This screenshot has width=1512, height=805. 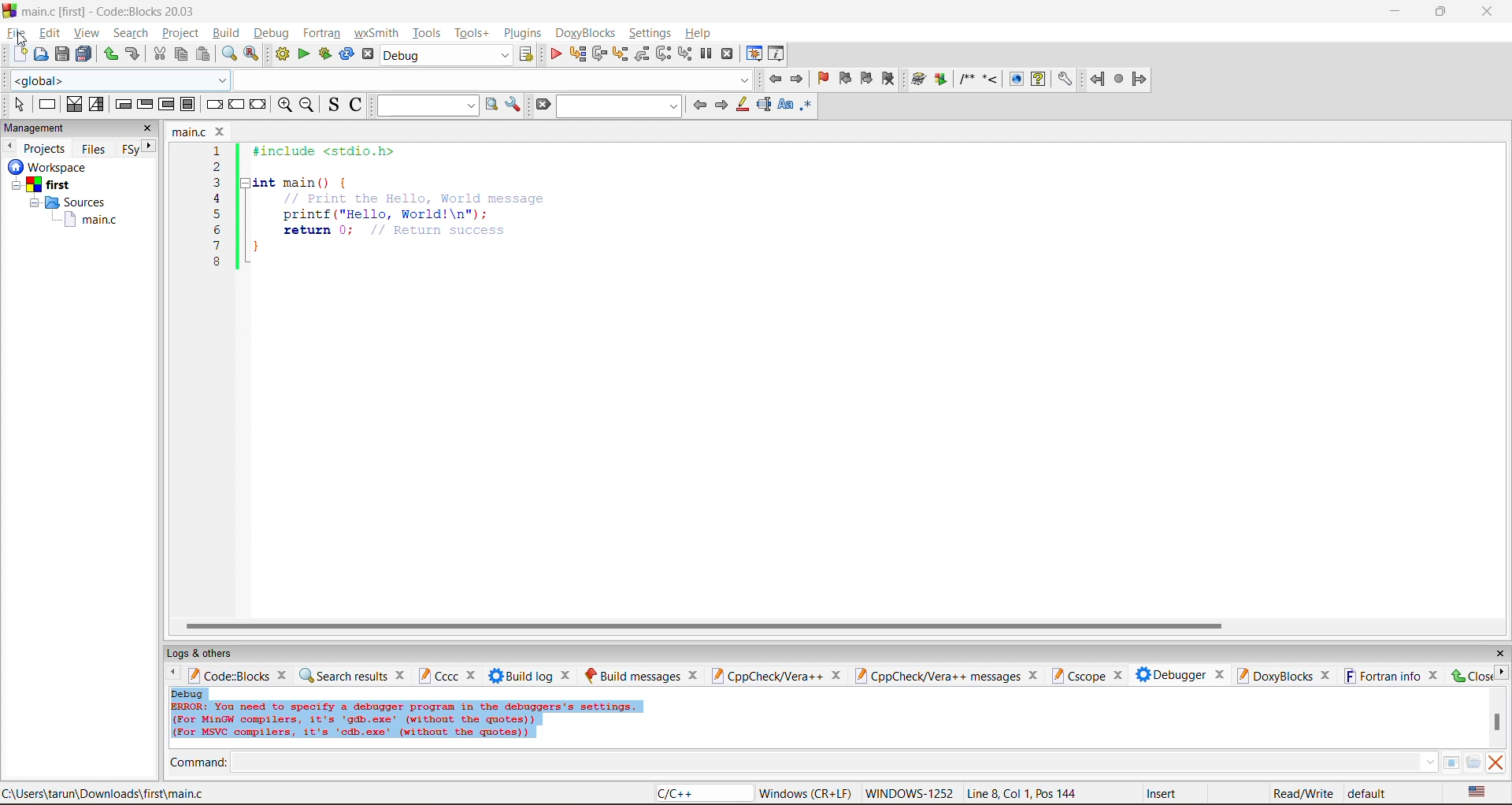 I want to click on horizontal scroll bar, so click(x=703, y=626).